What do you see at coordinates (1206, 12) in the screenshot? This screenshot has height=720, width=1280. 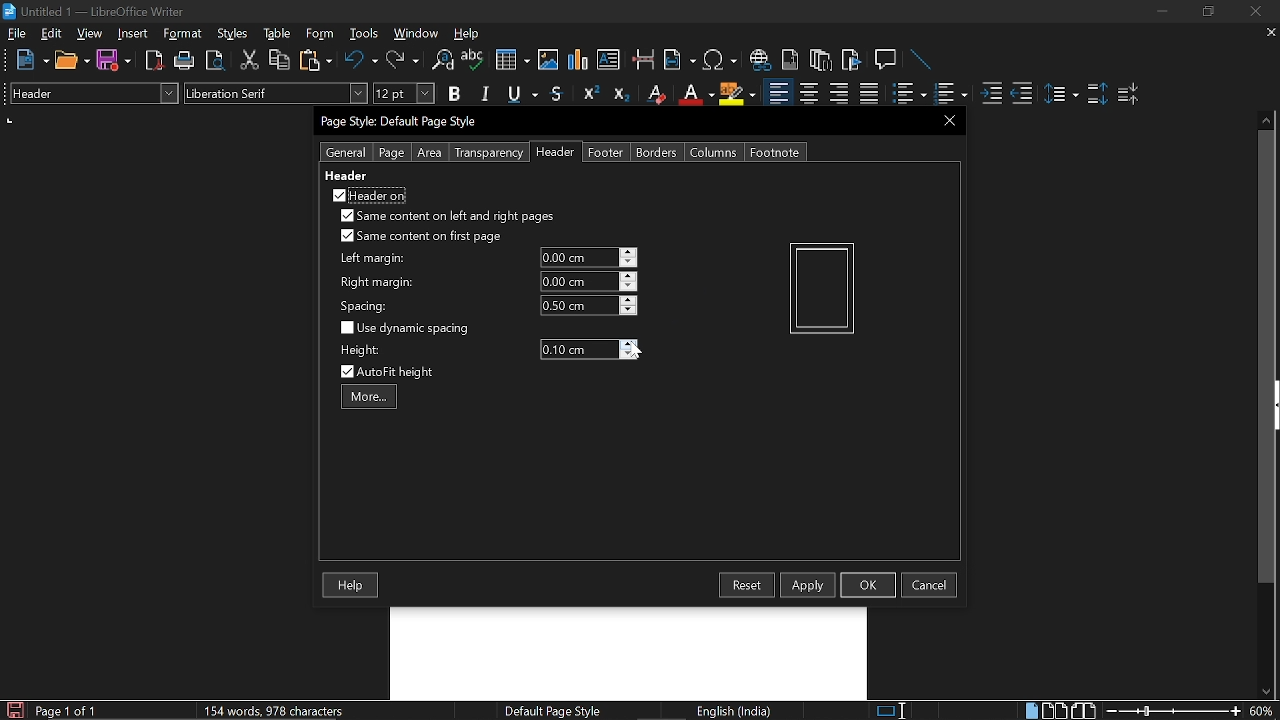 I see `Restore down` at bounding box center [1206, 12].